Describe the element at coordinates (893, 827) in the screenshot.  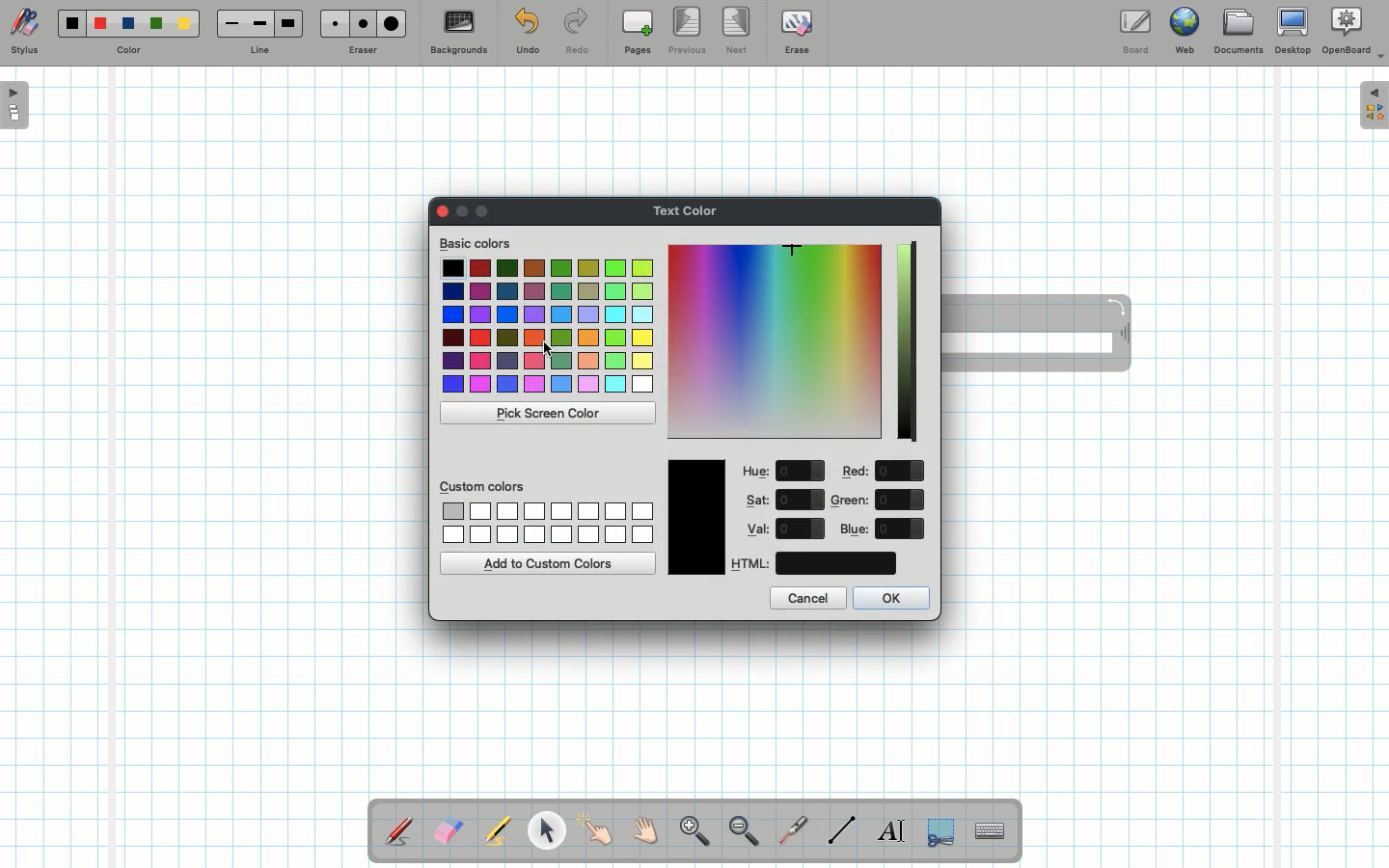
I see `Write text` at that location.